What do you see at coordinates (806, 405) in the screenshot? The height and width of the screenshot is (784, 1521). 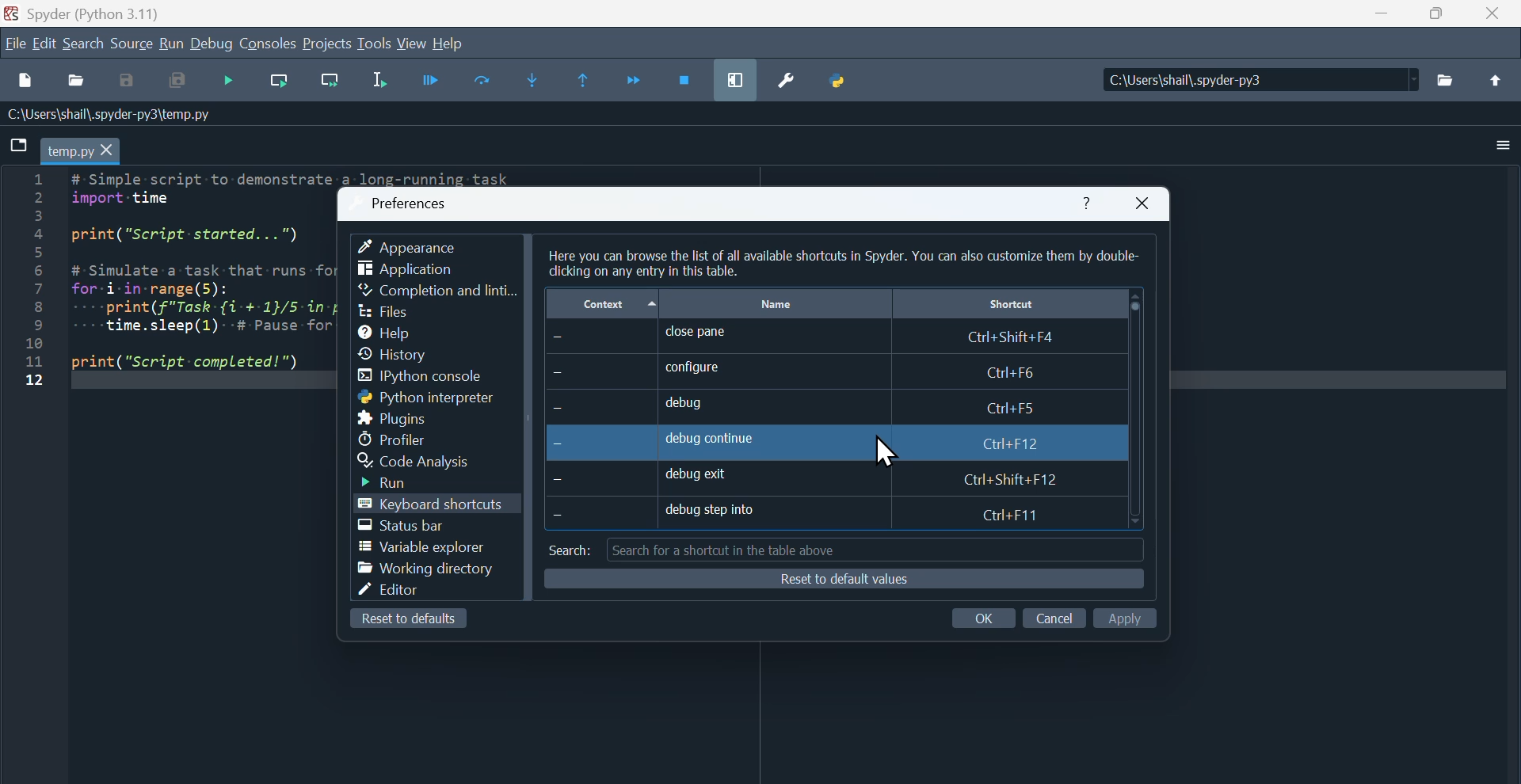 I see `debug` at bounding box center [806, 405].